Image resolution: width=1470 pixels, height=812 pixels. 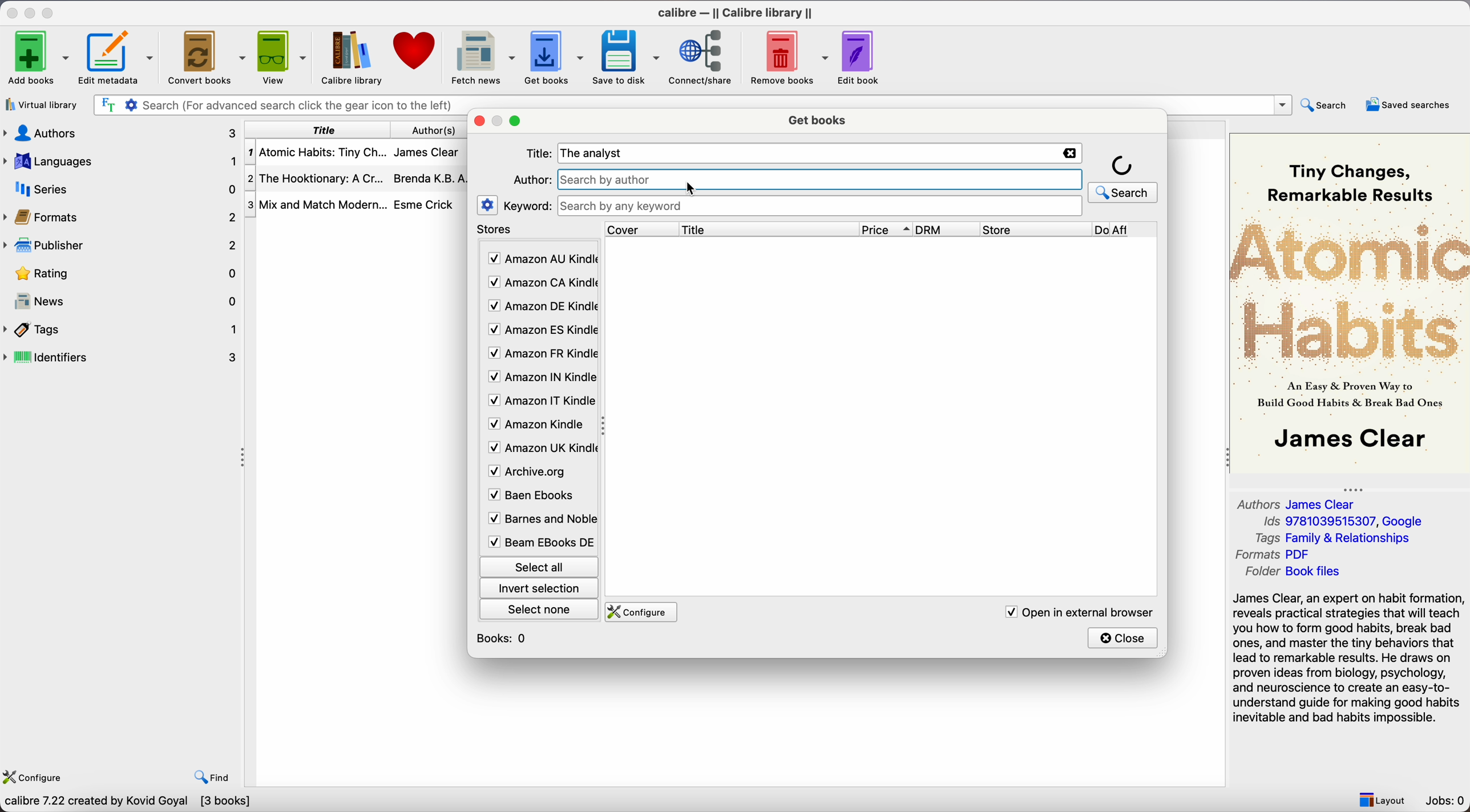 What do you see at coordinates (538, 426) in the screenshot?
I see `Amazon Kindle` at bounding box center [538, 426].